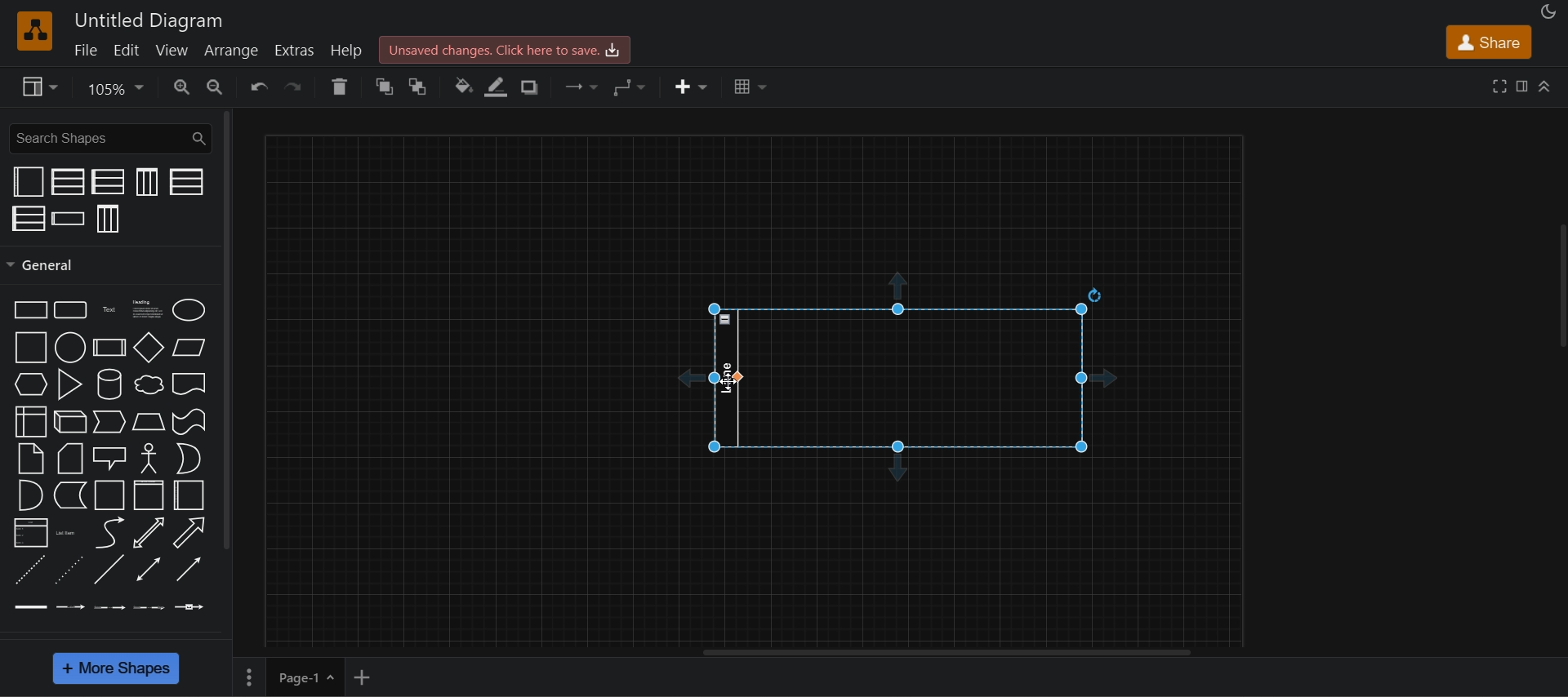 Image resolution: width=1568 pixels, height=697 pixels. What do you see at coordinates (1501, 85) in the screenshot?
I see `fullscreen` at bounding box center [1501, 85].